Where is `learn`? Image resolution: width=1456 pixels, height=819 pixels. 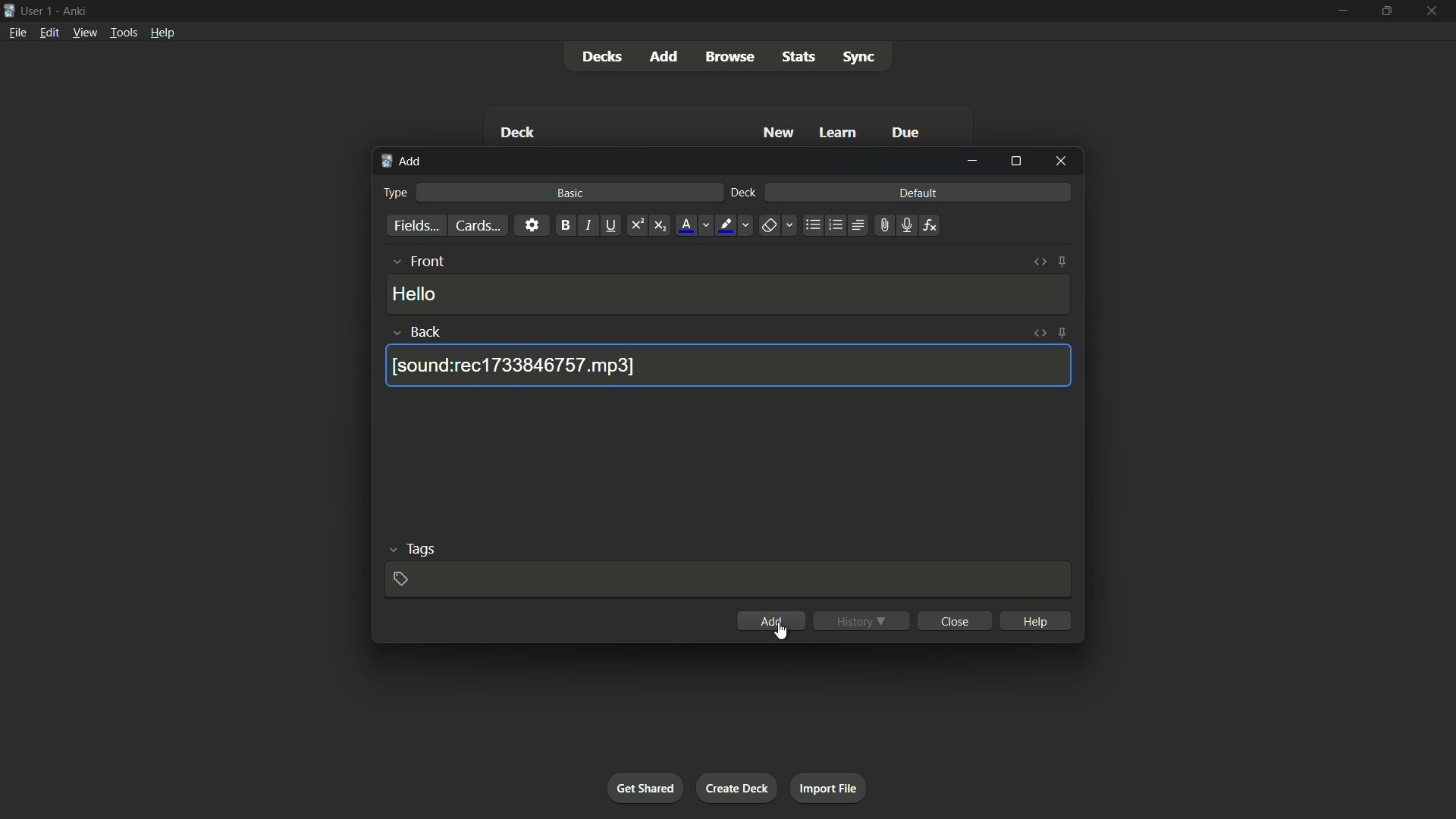 learn is located at coordinates (839, 132).